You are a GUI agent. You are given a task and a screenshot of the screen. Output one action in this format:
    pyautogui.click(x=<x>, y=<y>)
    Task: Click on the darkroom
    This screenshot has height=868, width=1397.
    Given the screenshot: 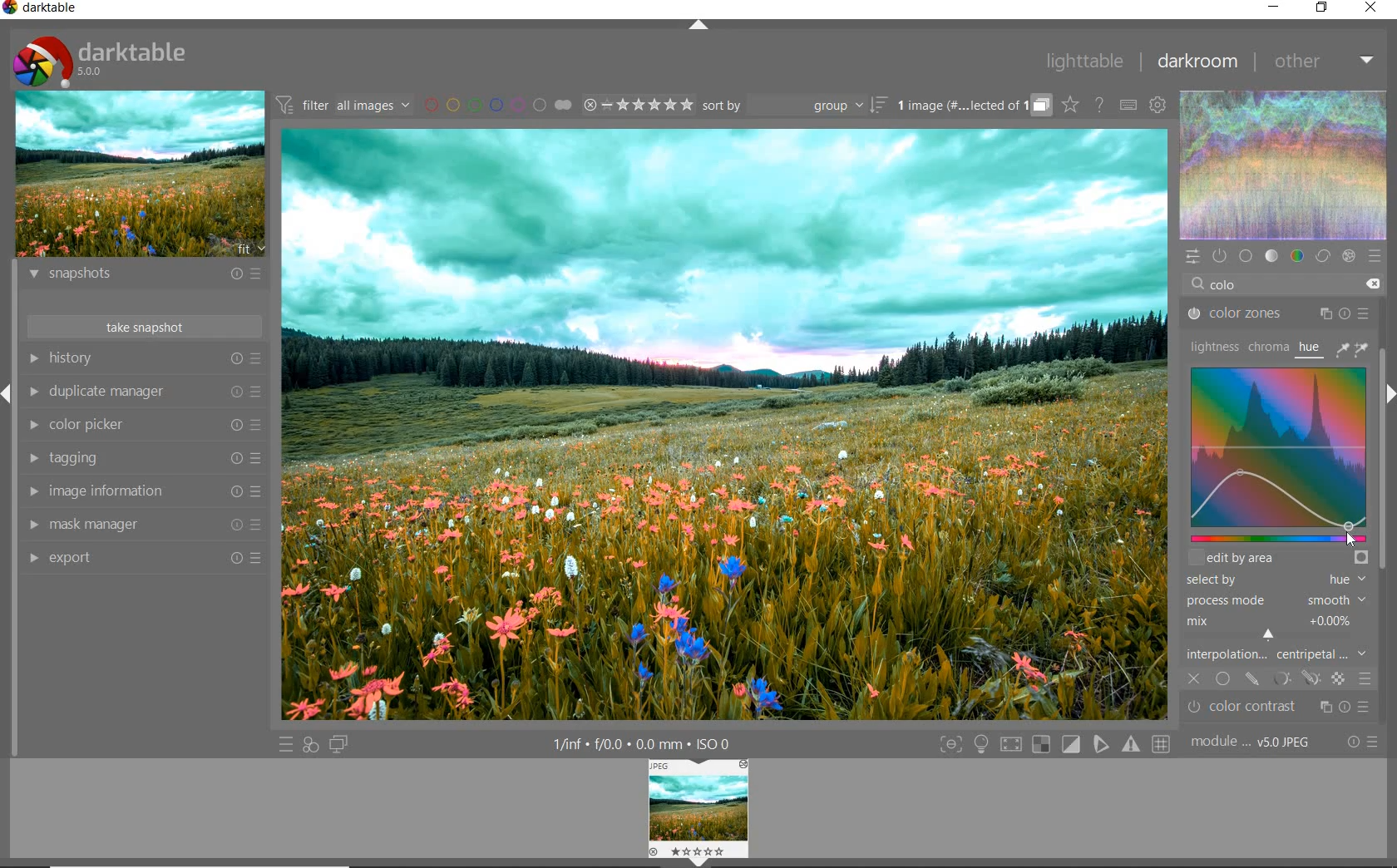 What is the action you would take?
    pyautogui.click(x=1199, y=62)
    